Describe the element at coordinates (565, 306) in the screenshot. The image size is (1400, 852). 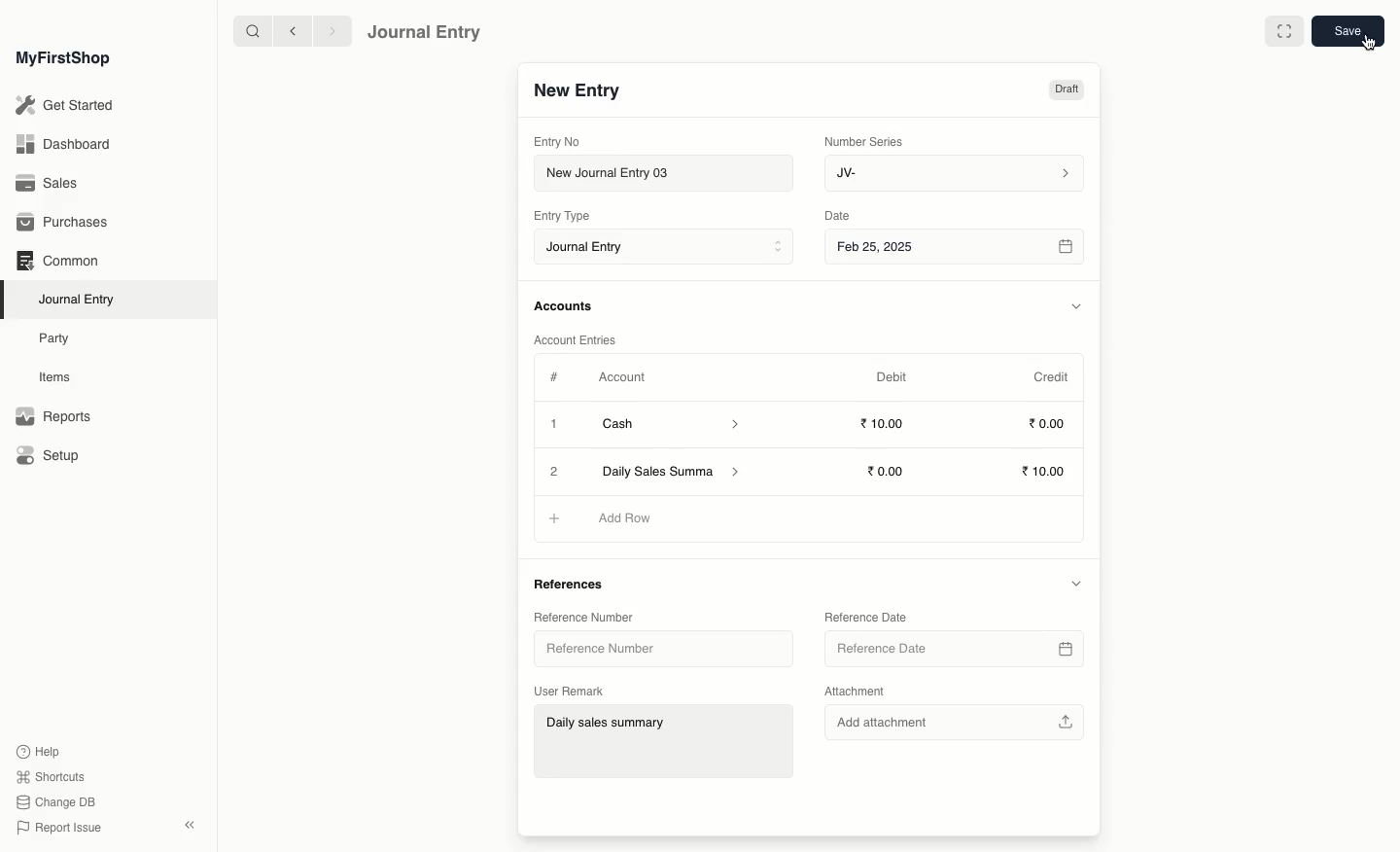
I see `Accounts` at that location.